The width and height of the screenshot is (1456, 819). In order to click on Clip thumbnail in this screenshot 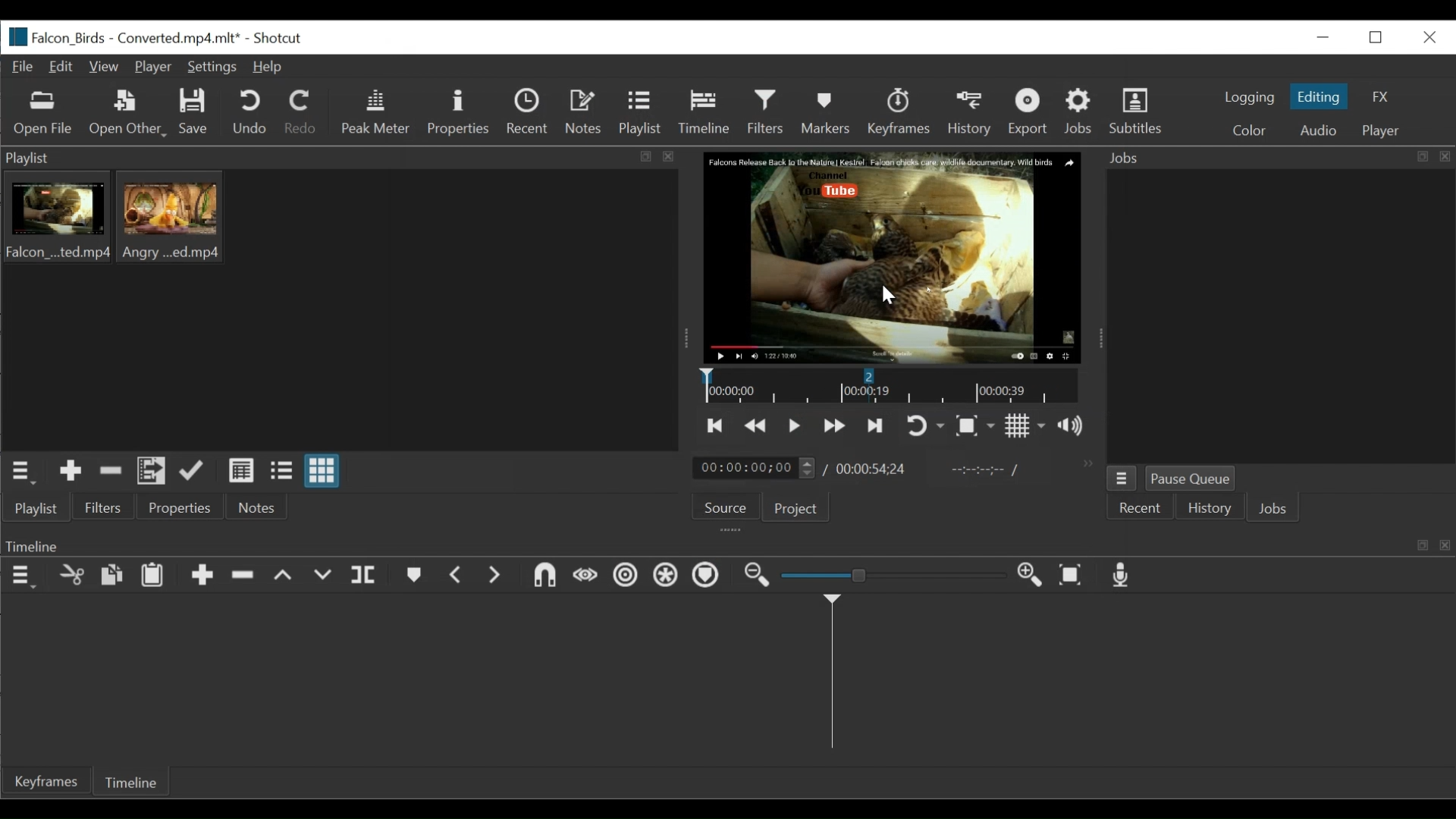, I will do `click(340, 310)`.